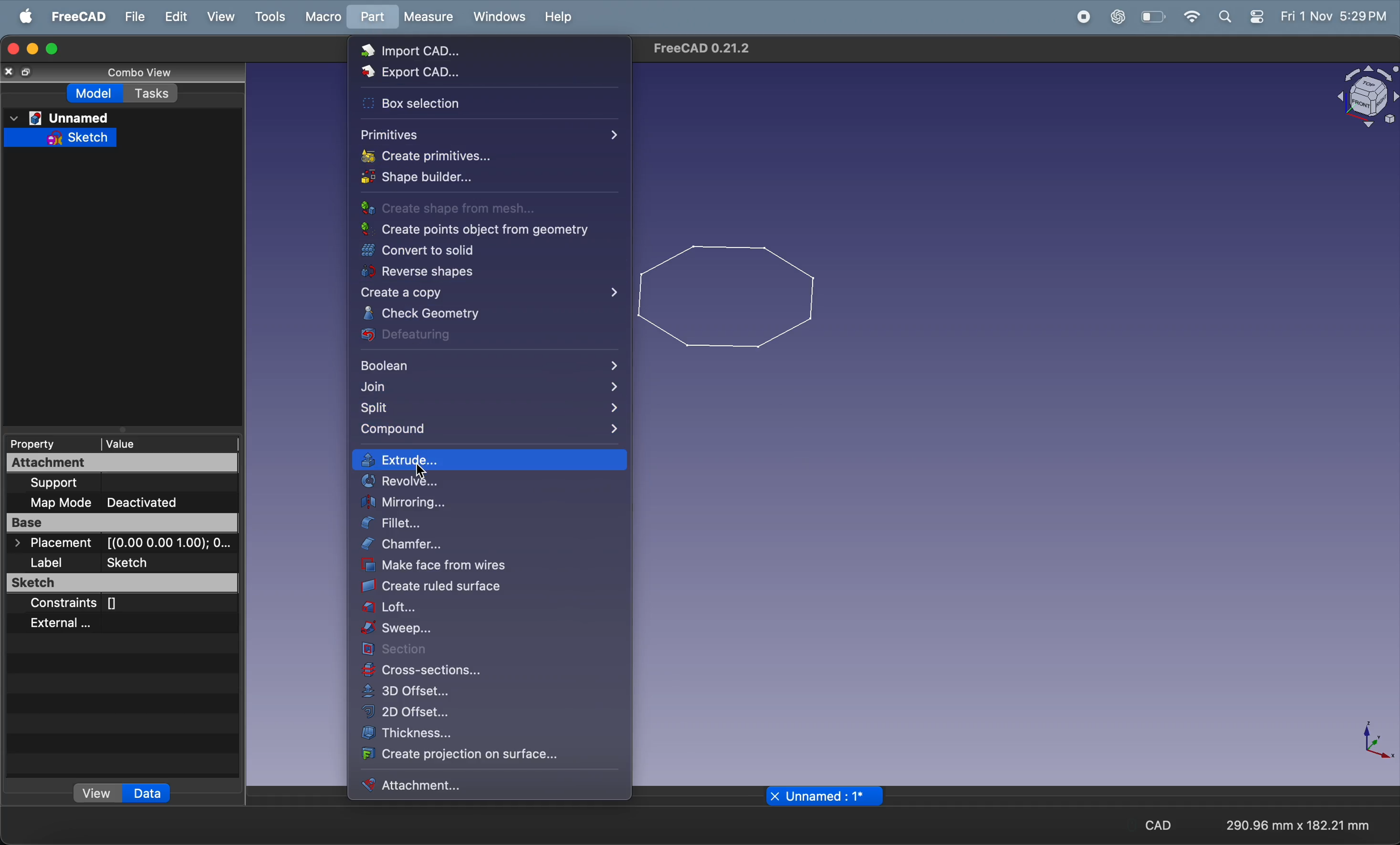  I want to click on 2D offset, so click(490, 713).